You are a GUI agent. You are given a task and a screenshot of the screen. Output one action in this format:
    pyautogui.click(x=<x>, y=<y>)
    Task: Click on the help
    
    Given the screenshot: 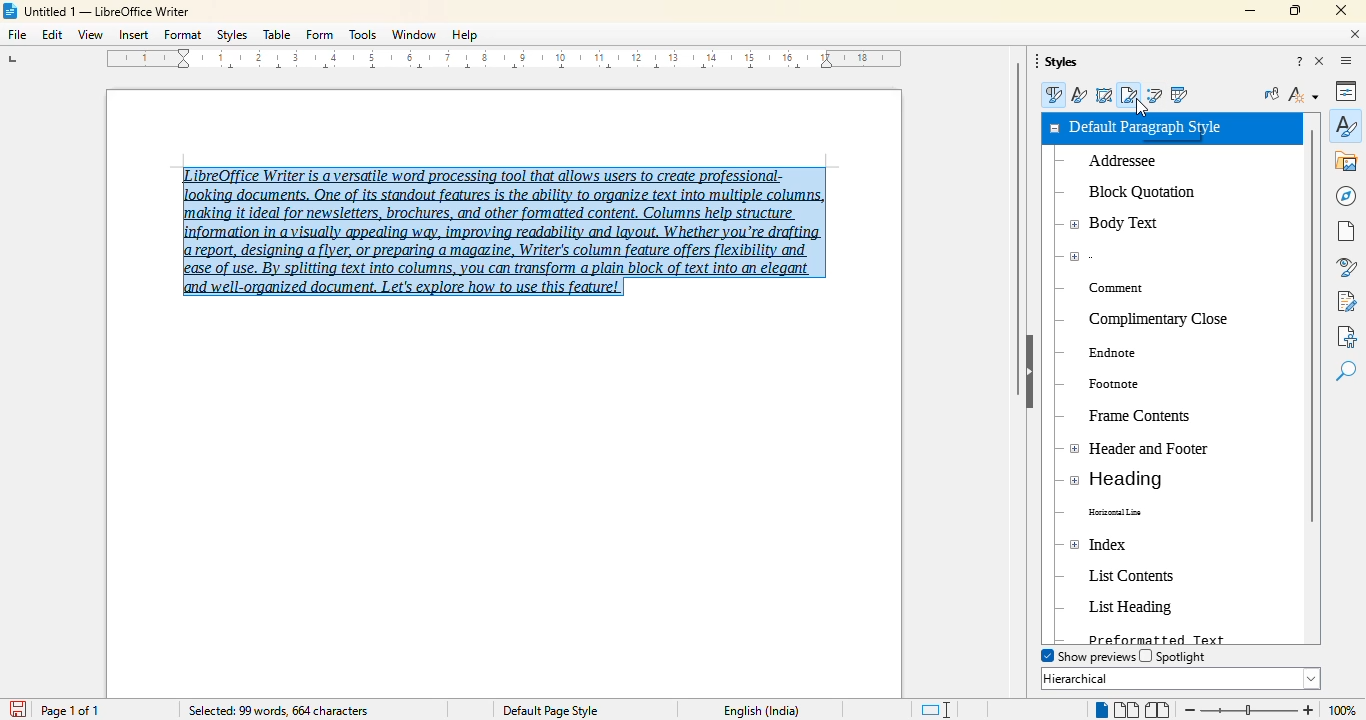 What is the action you would take?
    pyautogui.click(x=465, y=35)
    